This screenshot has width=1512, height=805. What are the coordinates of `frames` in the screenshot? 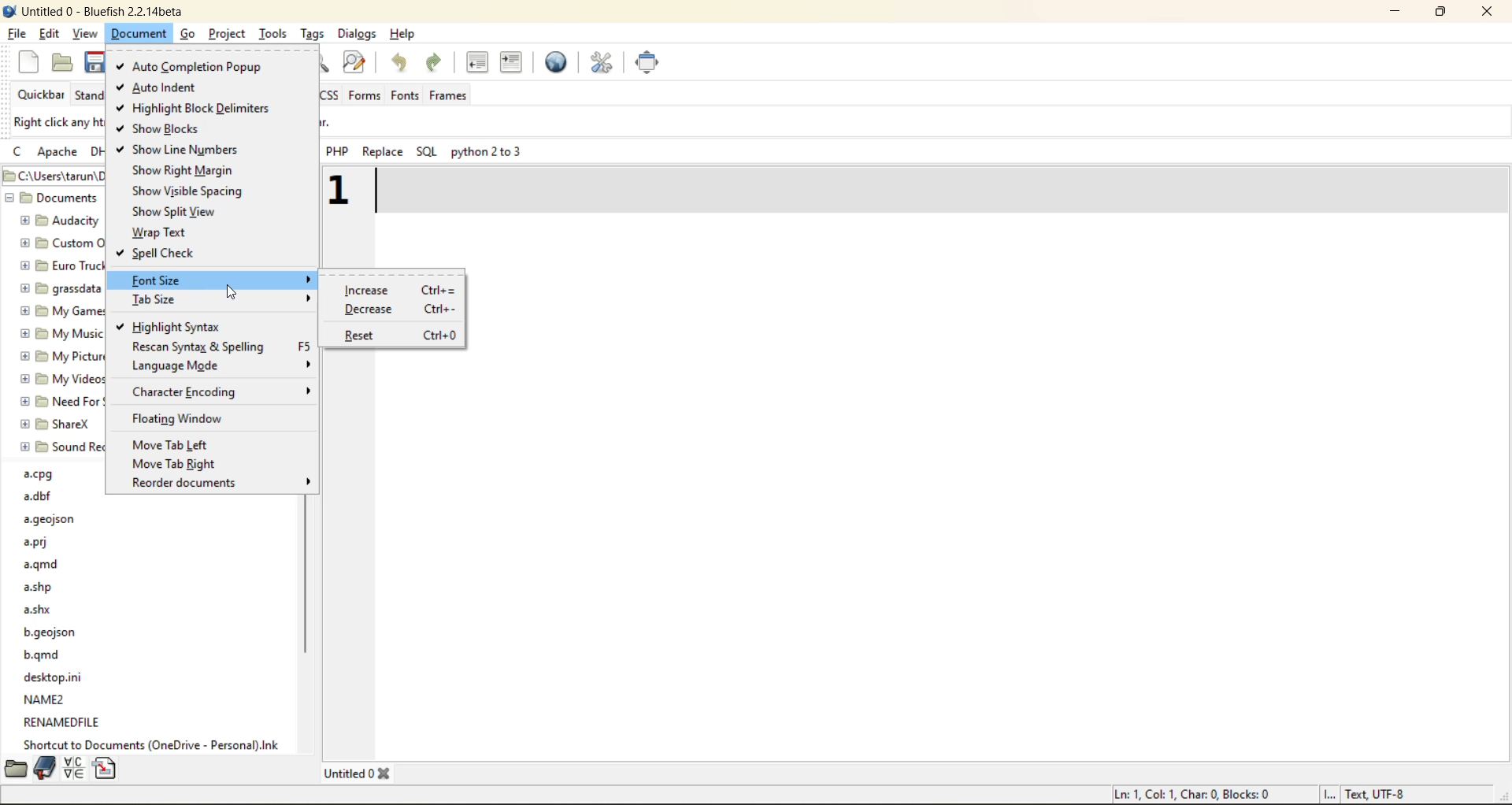 It's located at (449, 95).